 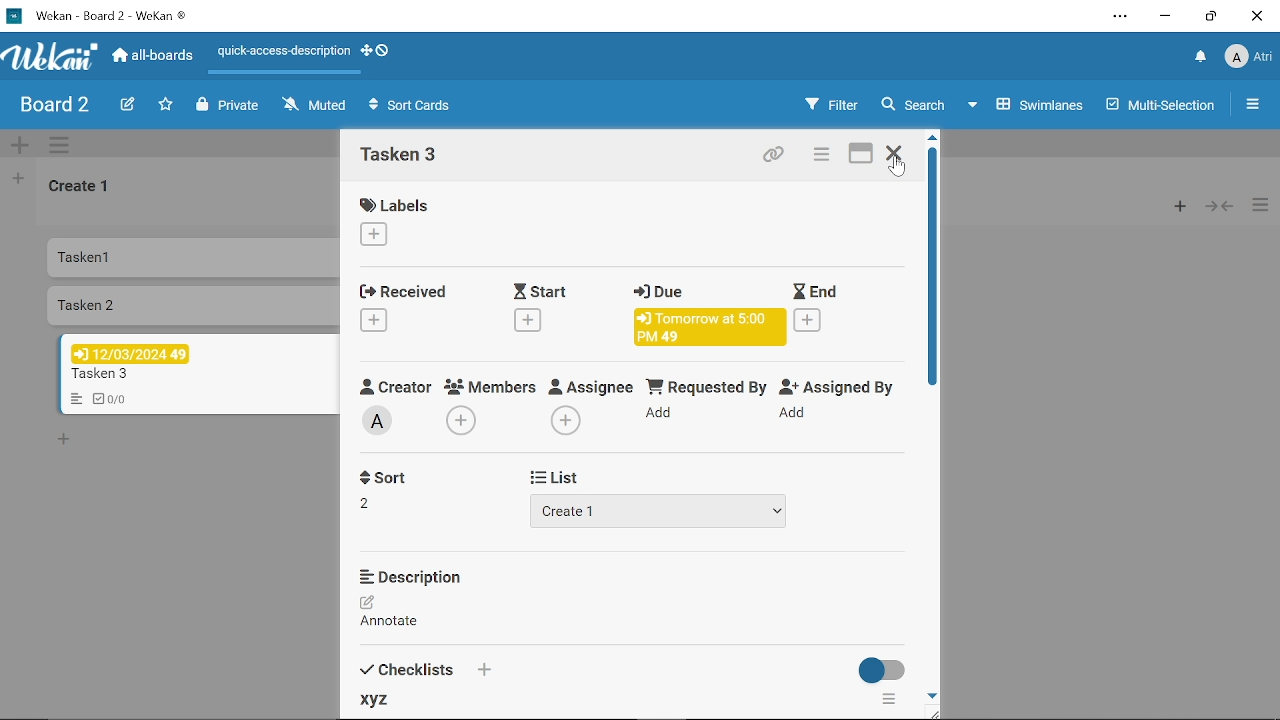 I want to click on Creator, so click(x=393, y=384).